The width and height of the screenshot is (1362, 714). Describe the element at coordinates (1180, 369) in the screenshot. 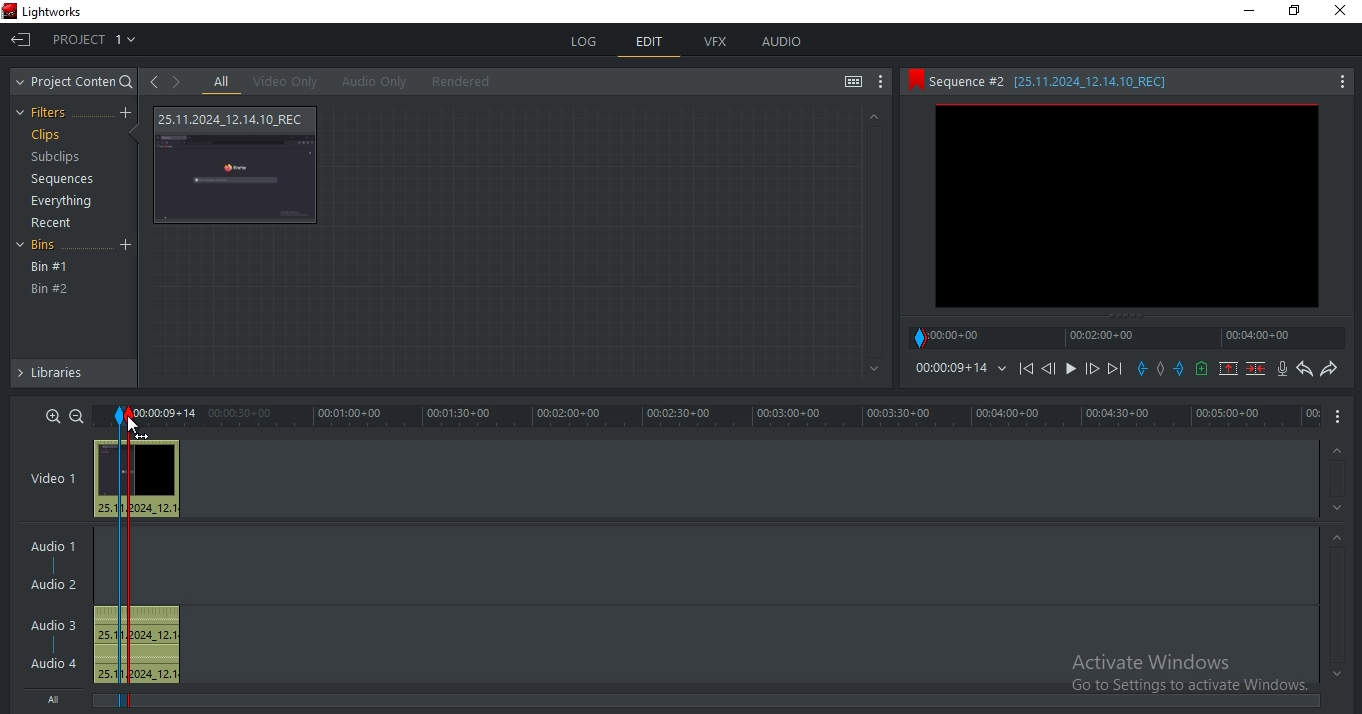

I see `add an out mark` at that location.